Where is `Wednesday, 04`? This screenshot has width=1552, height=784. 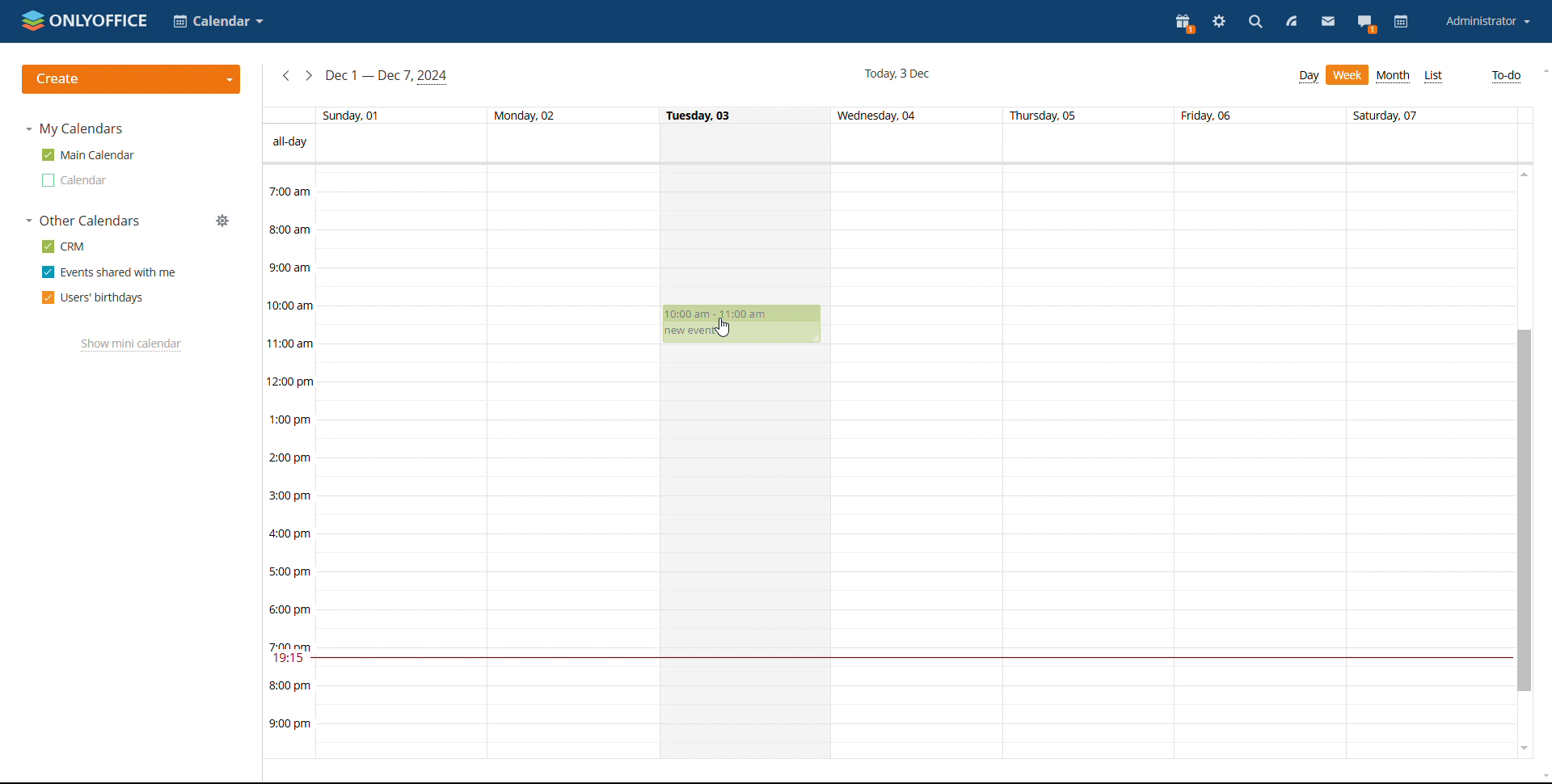
Wednesday, 04 is located at coordinates (880, 116).